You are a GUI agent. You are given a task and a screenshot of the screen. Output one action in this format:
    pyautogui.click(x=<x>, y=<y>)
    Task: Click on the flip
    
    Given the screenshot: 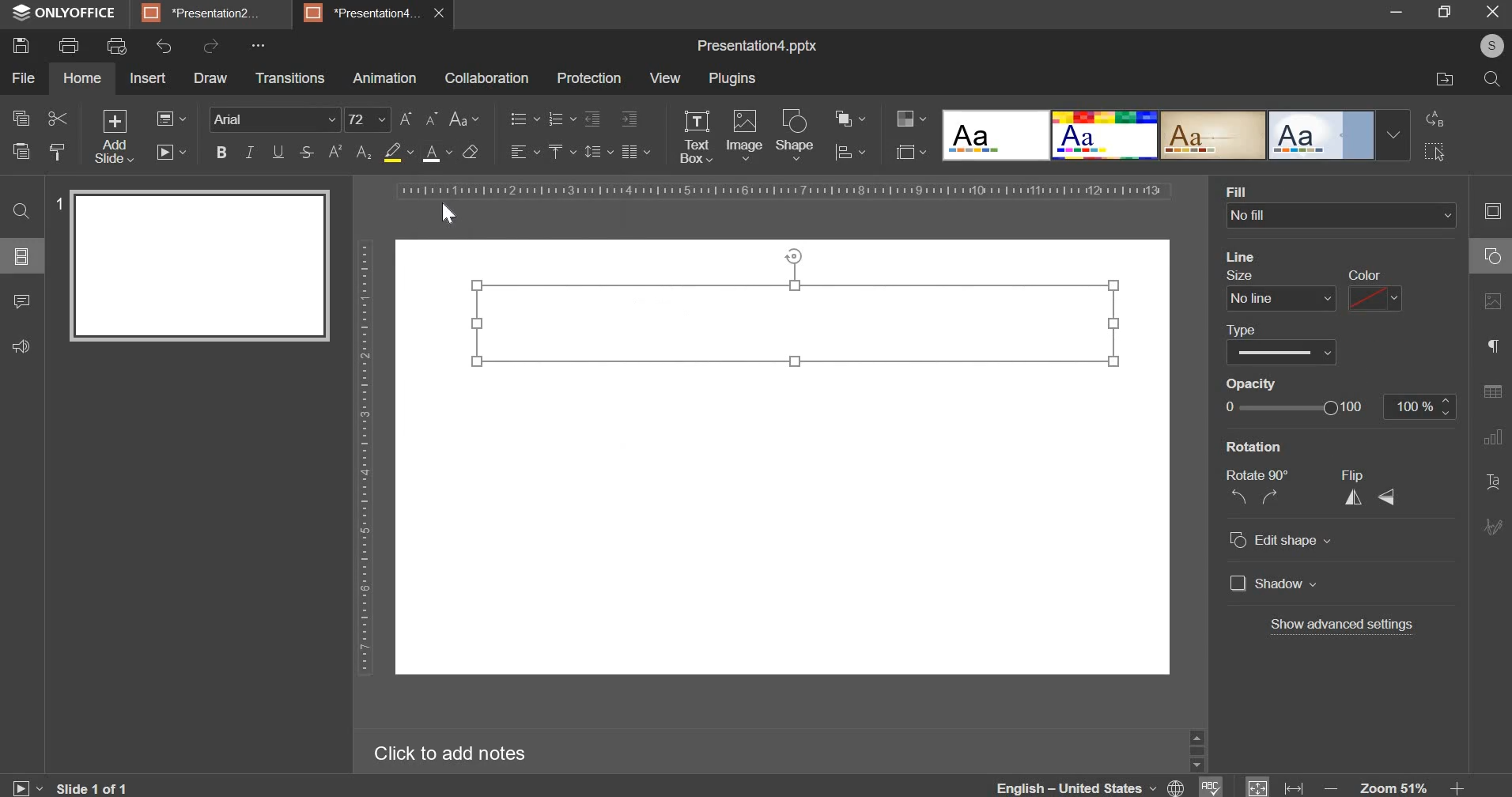 What is the action you would take?
    pyautogui.click(x=1358, y=475)
    